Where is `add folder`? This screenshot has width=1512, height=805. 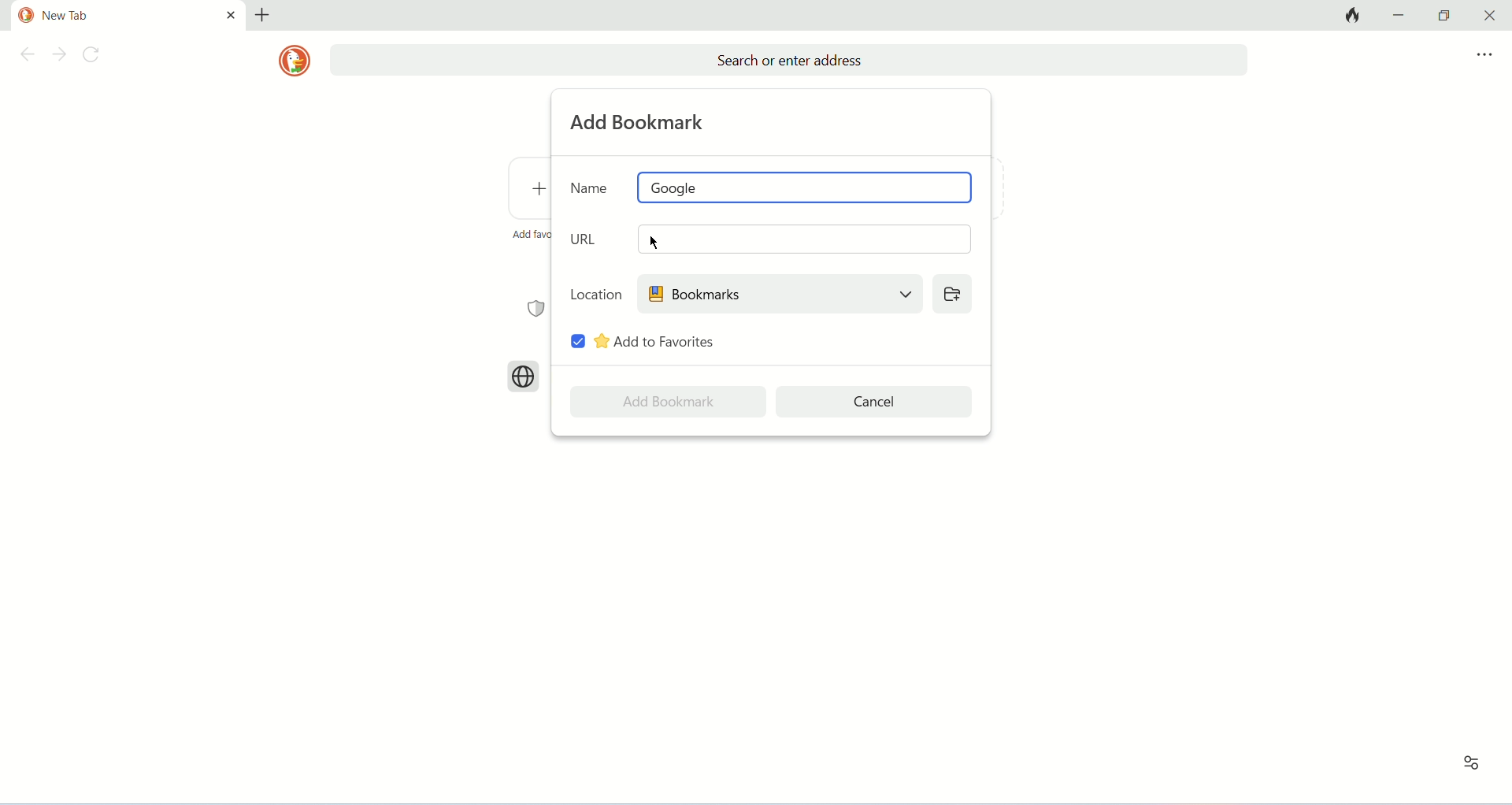 add folder is located at coordinates (951, 293).